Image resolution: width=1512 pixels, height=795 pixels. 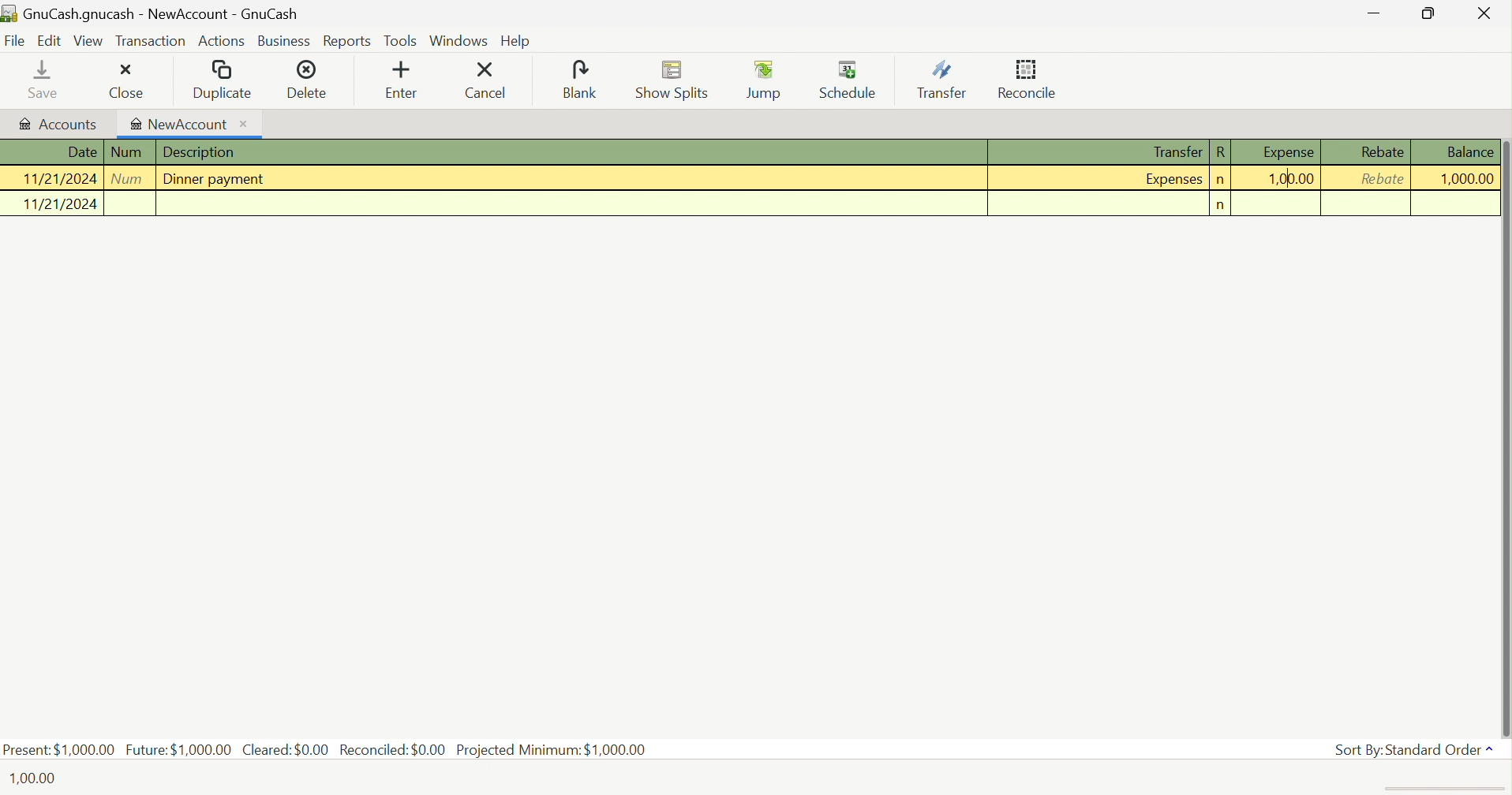 What do you see at coordinates (189, 123) in the screenshot?
I see `NewAccount` at bounding box center [189, 123].